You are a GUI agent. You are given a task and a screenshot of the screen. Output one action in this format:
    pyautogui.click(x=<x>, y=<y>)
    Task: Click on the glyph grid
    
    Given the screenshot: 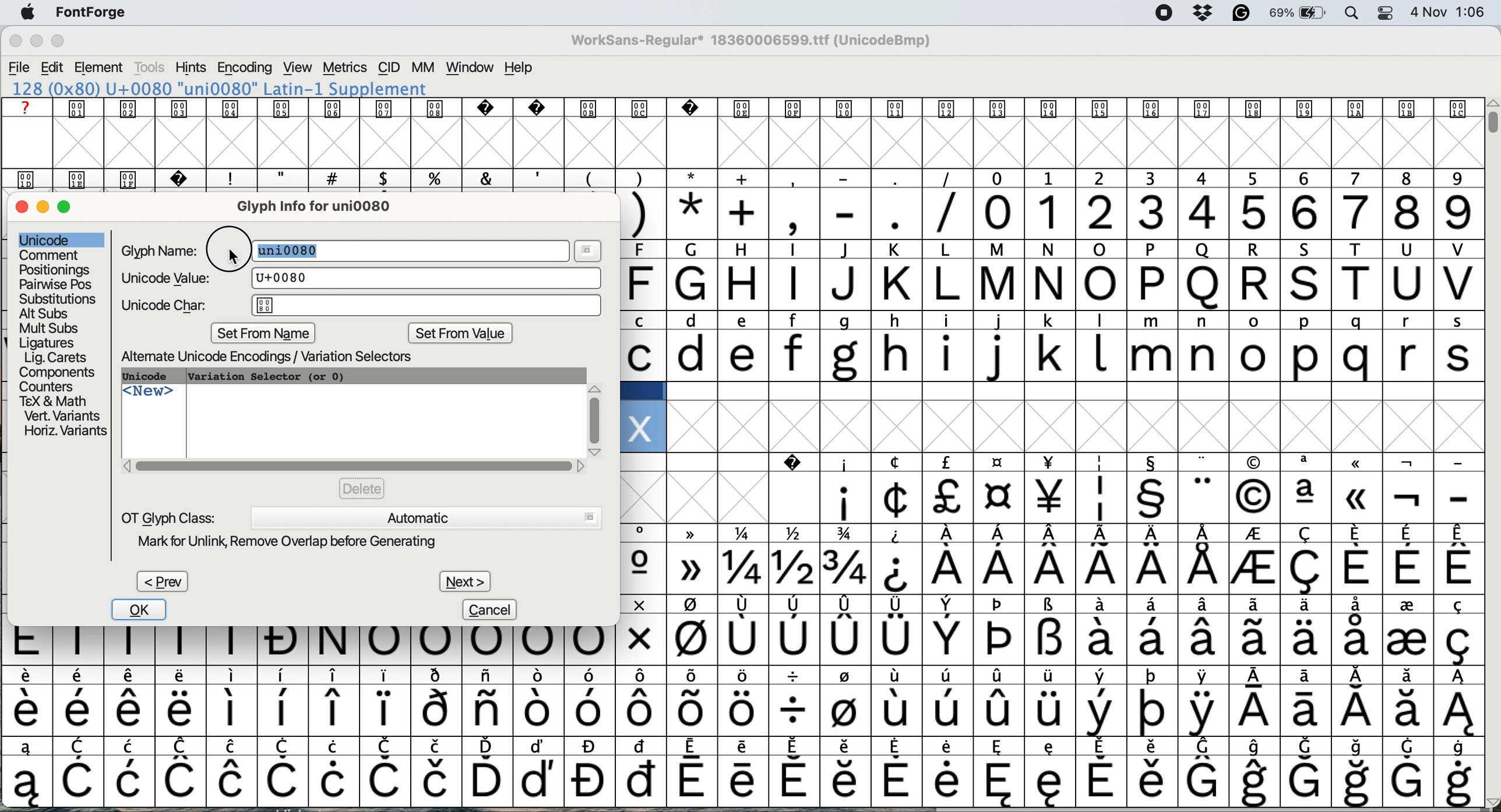 What is the action you would take?
    pyautogui.click(x=1085, y=428)
    